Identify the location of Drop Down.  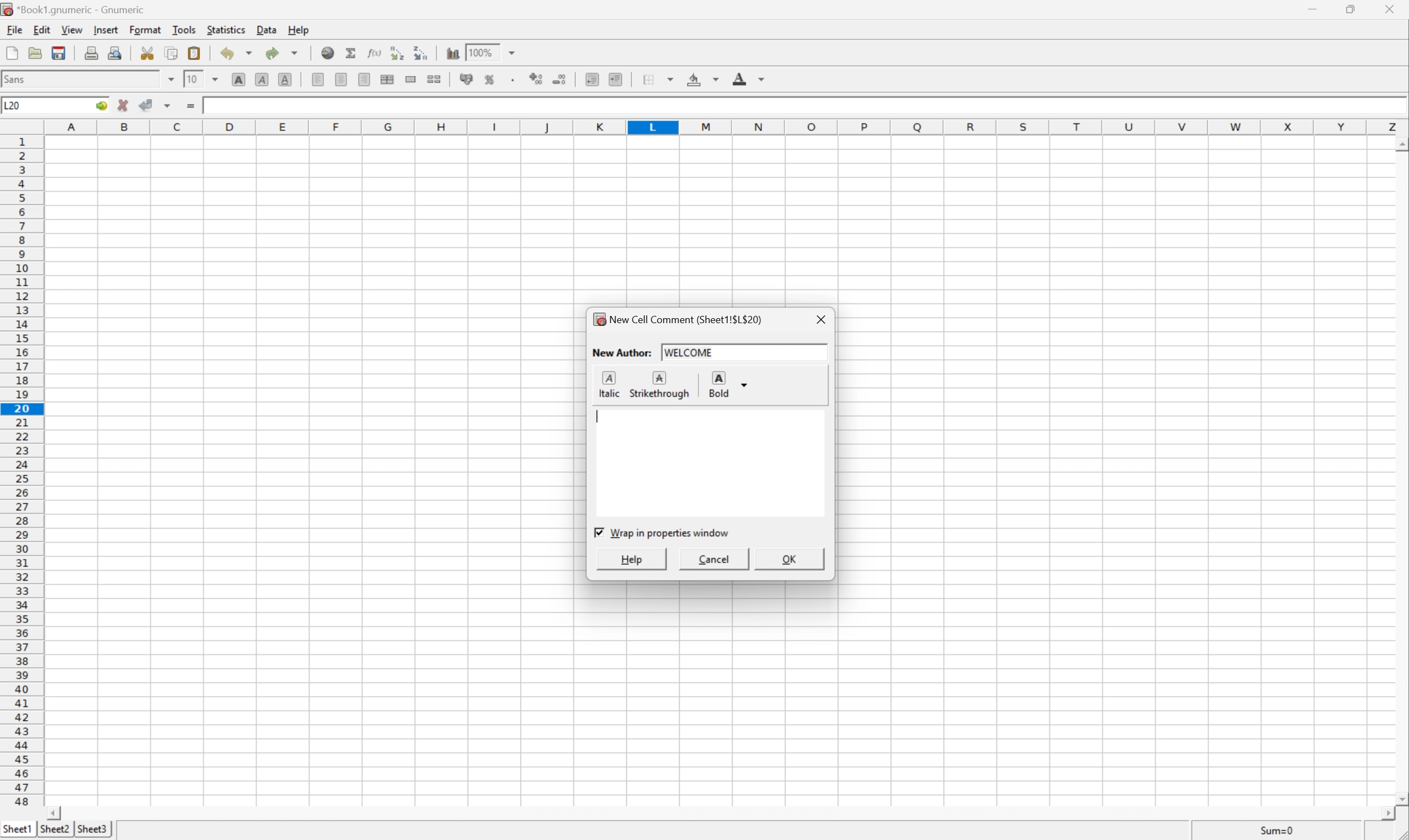
(746, 384).